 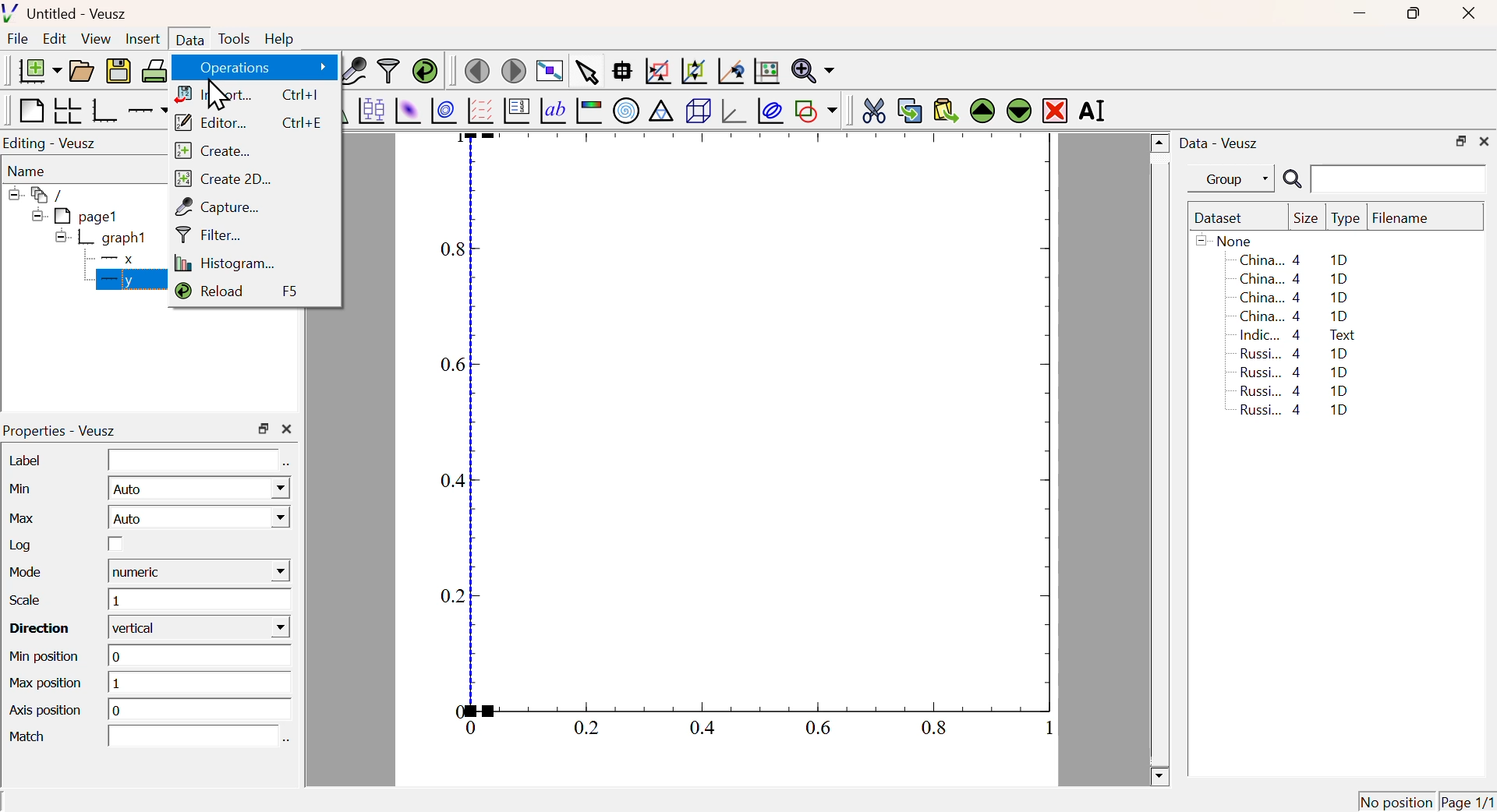 What do you see at coordinates (26, 489) in the screenshot?
I see `Min` at bounding box center [26, 489].